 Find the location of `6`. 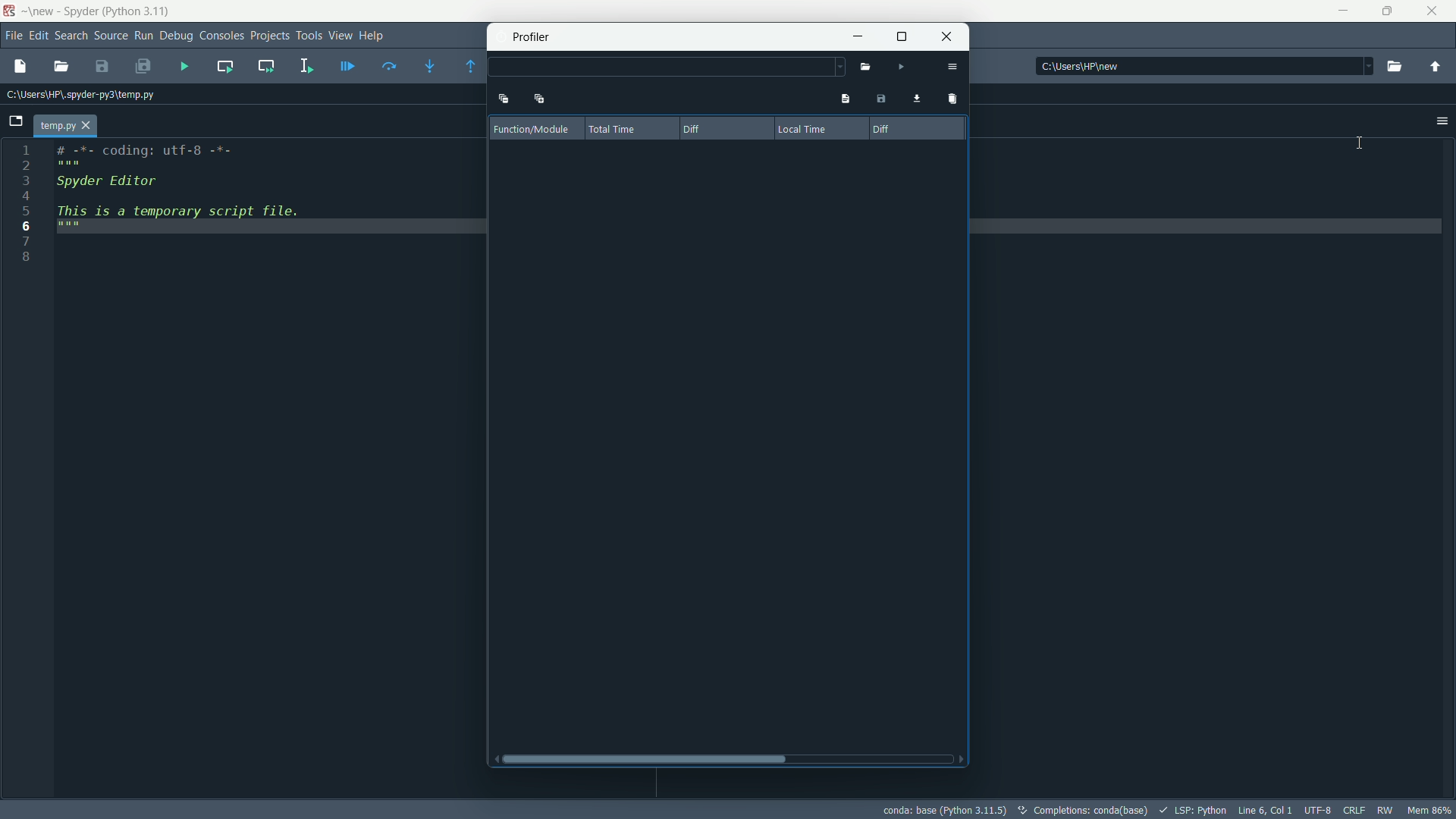

6 is located at coordinates (28, 227).